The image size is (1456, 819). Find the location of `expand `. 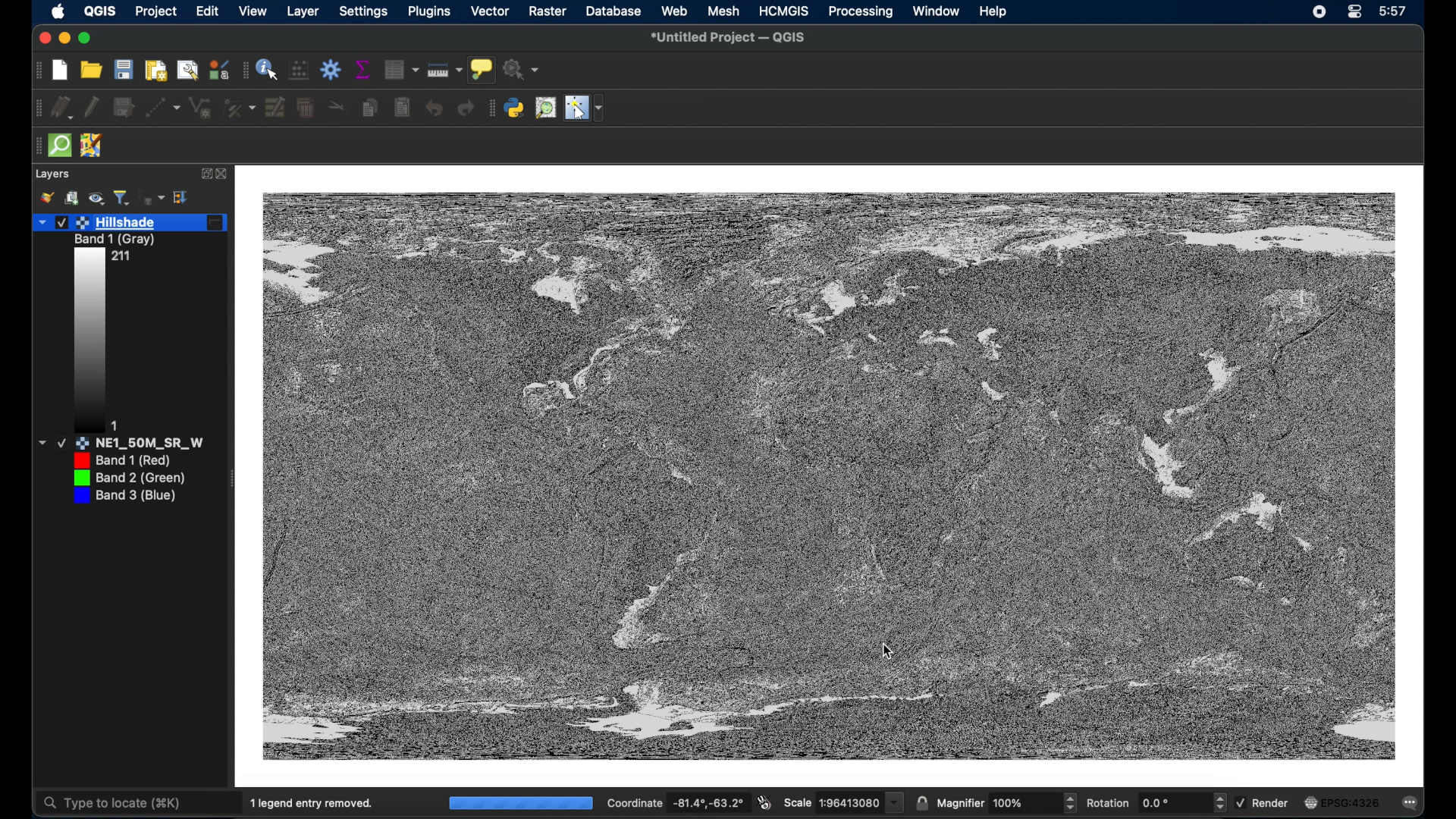

expand  is located at coordinates (205, 174).